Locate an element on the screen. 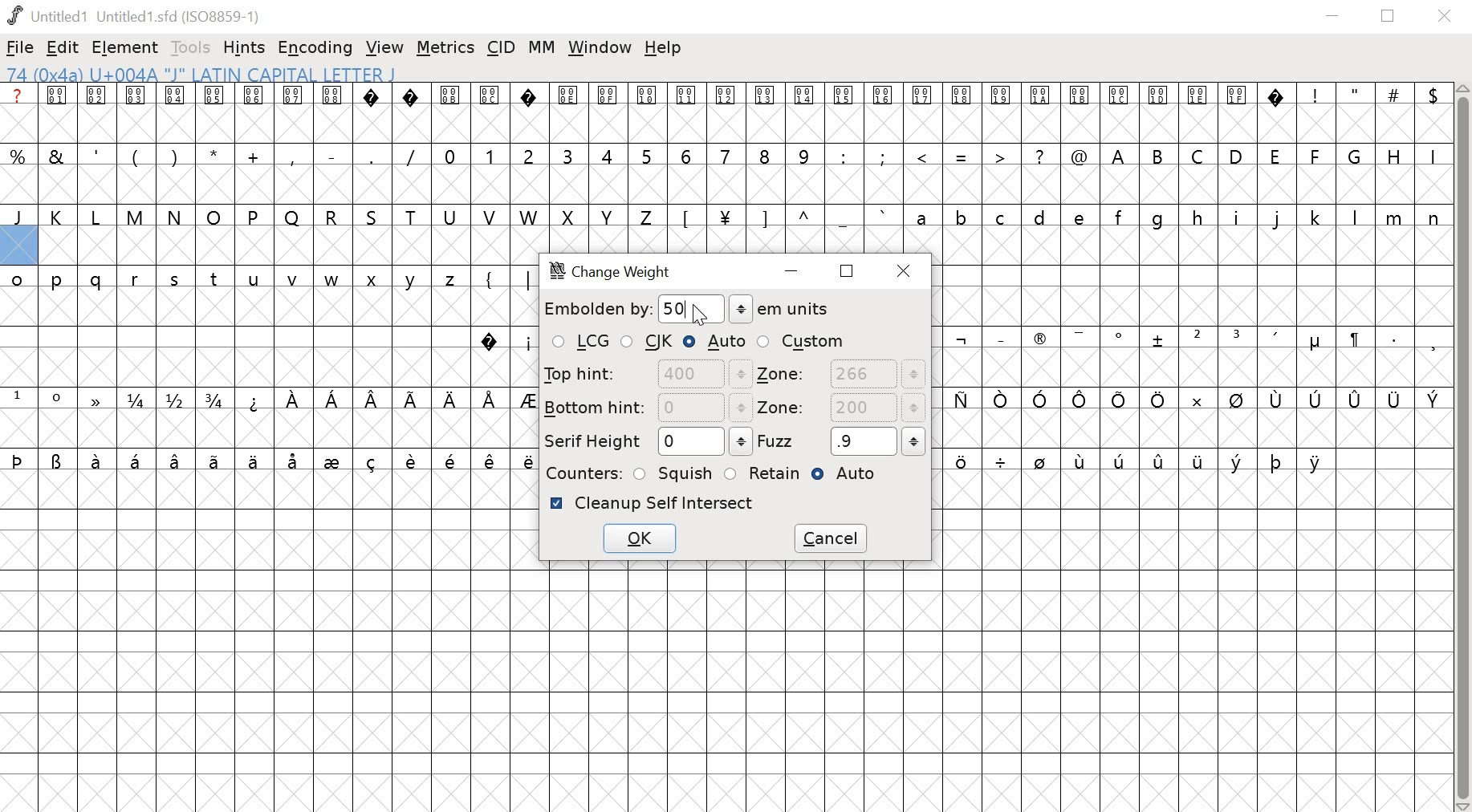 Image resolution: width=1472 pixels, height=812 pixels. symbols is located at coordinates (270, 460).